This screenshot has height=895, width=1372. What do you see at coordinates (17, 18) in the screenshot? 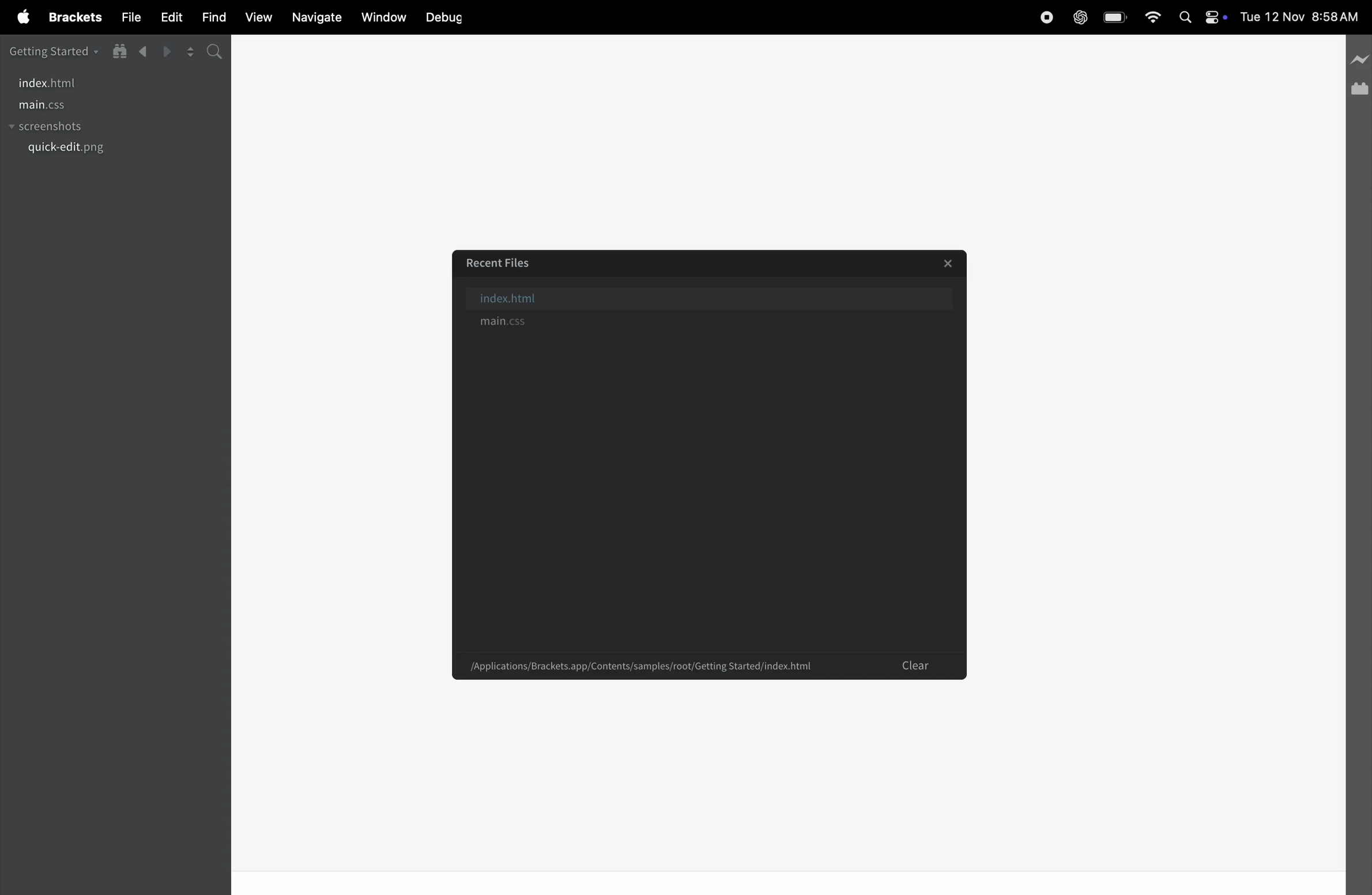
I see `apple menu` at bounding box center [17, 18].